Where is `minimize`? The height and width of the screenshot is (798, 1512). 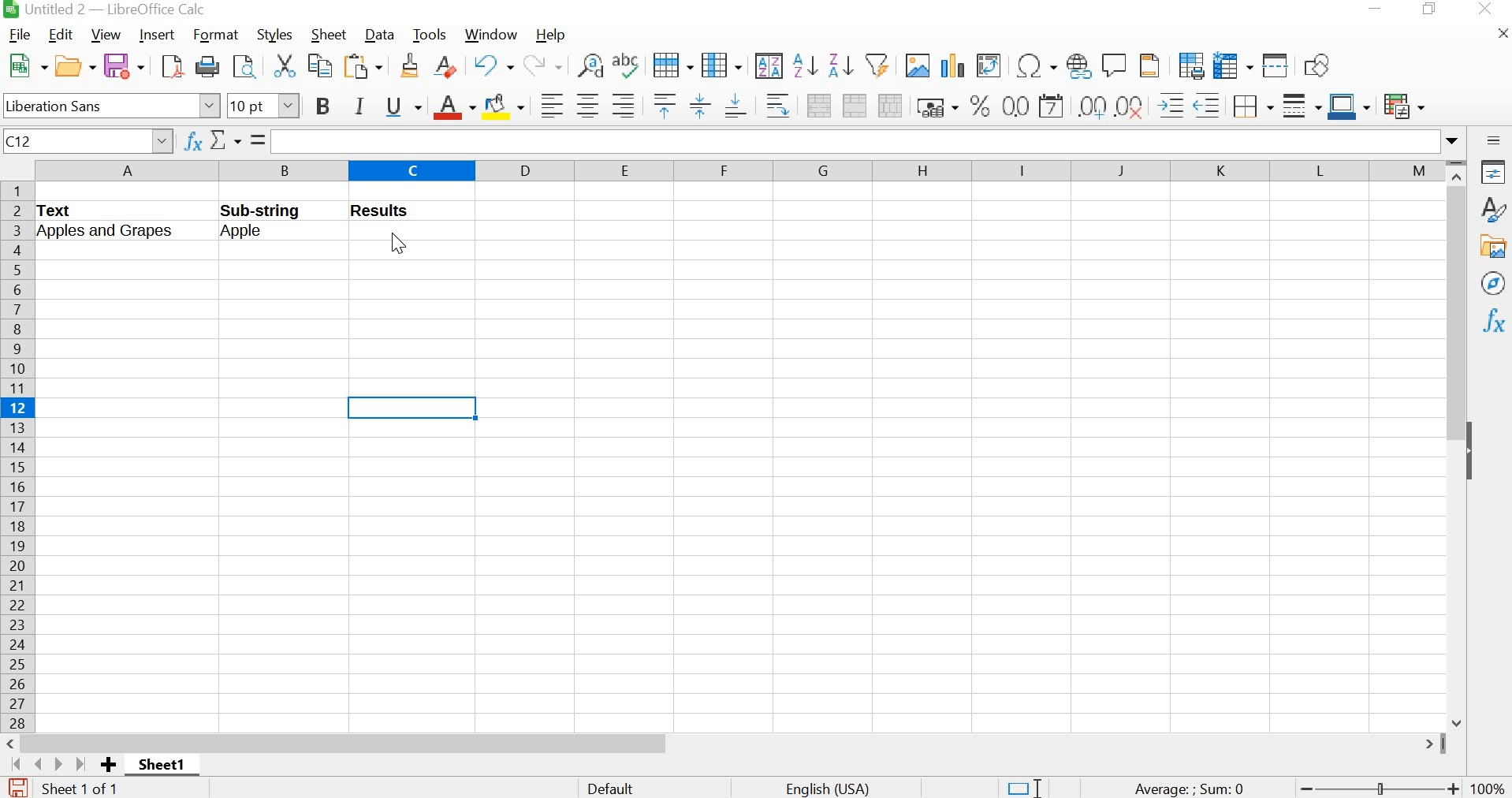
minimize is located at coordinates (1377, 9).